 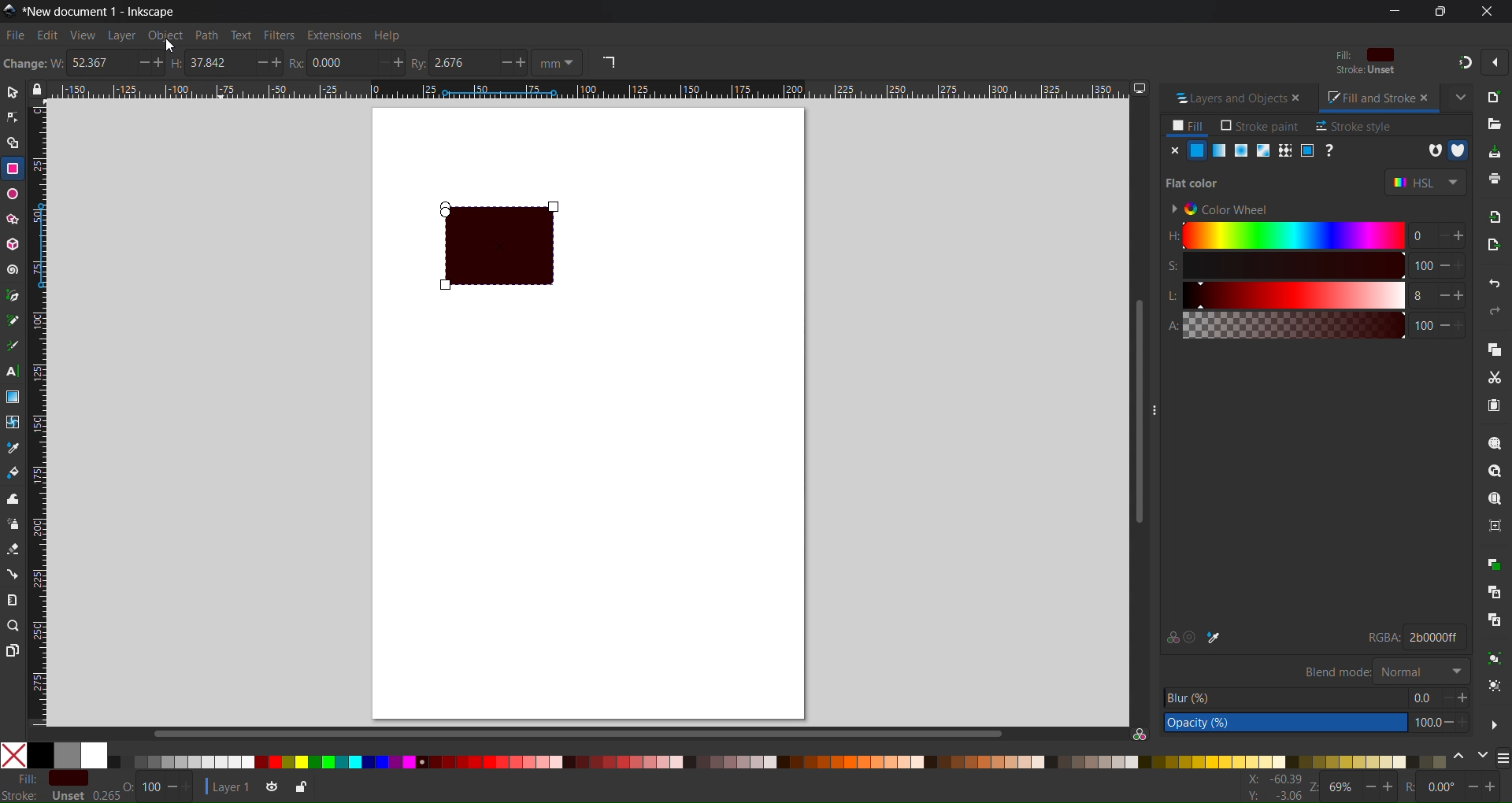 I want to click on X: -60.39, so click(x=1272, y=779).